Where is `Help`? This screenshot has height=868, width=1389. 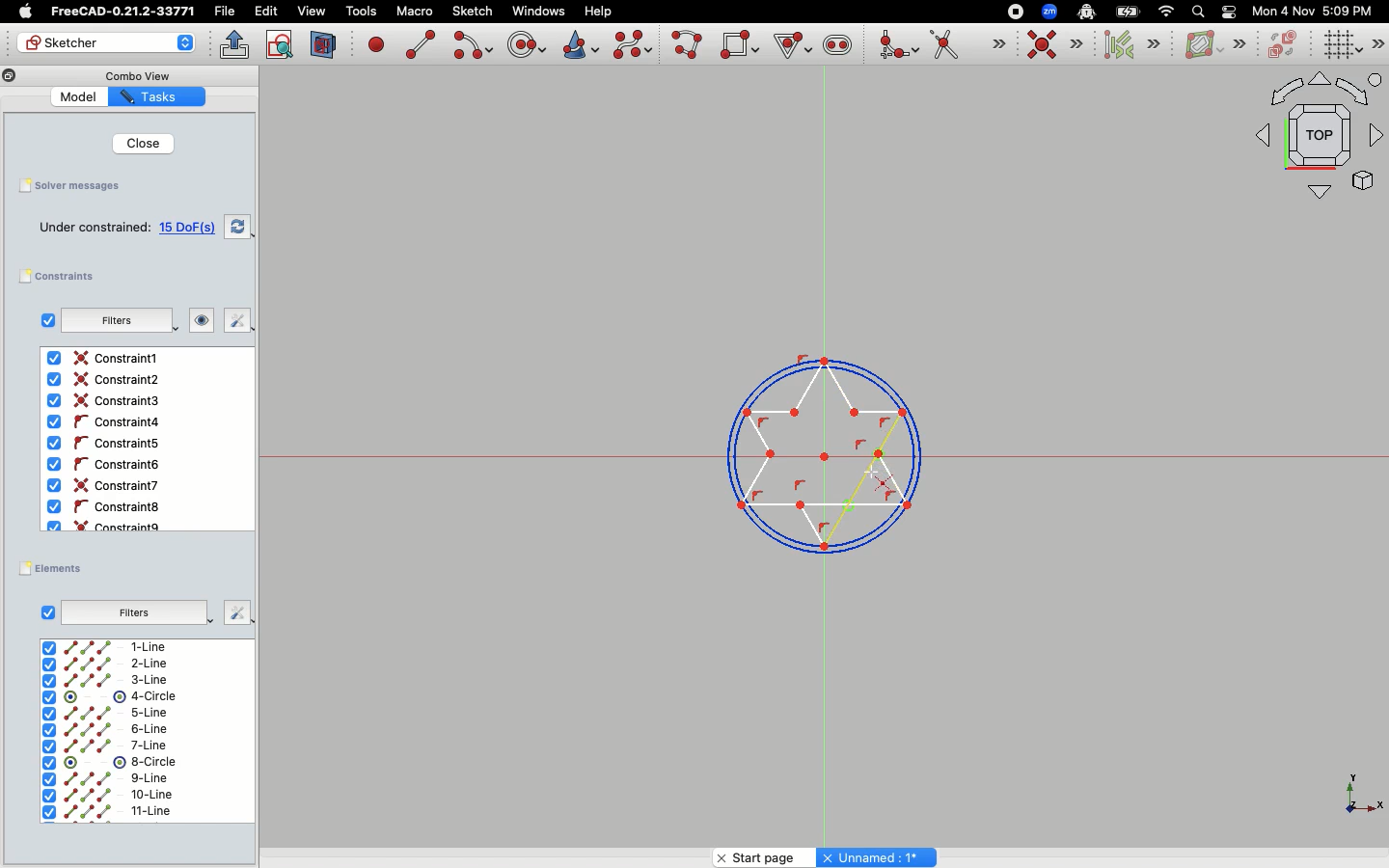 Help is located at coordinates (599, 10).